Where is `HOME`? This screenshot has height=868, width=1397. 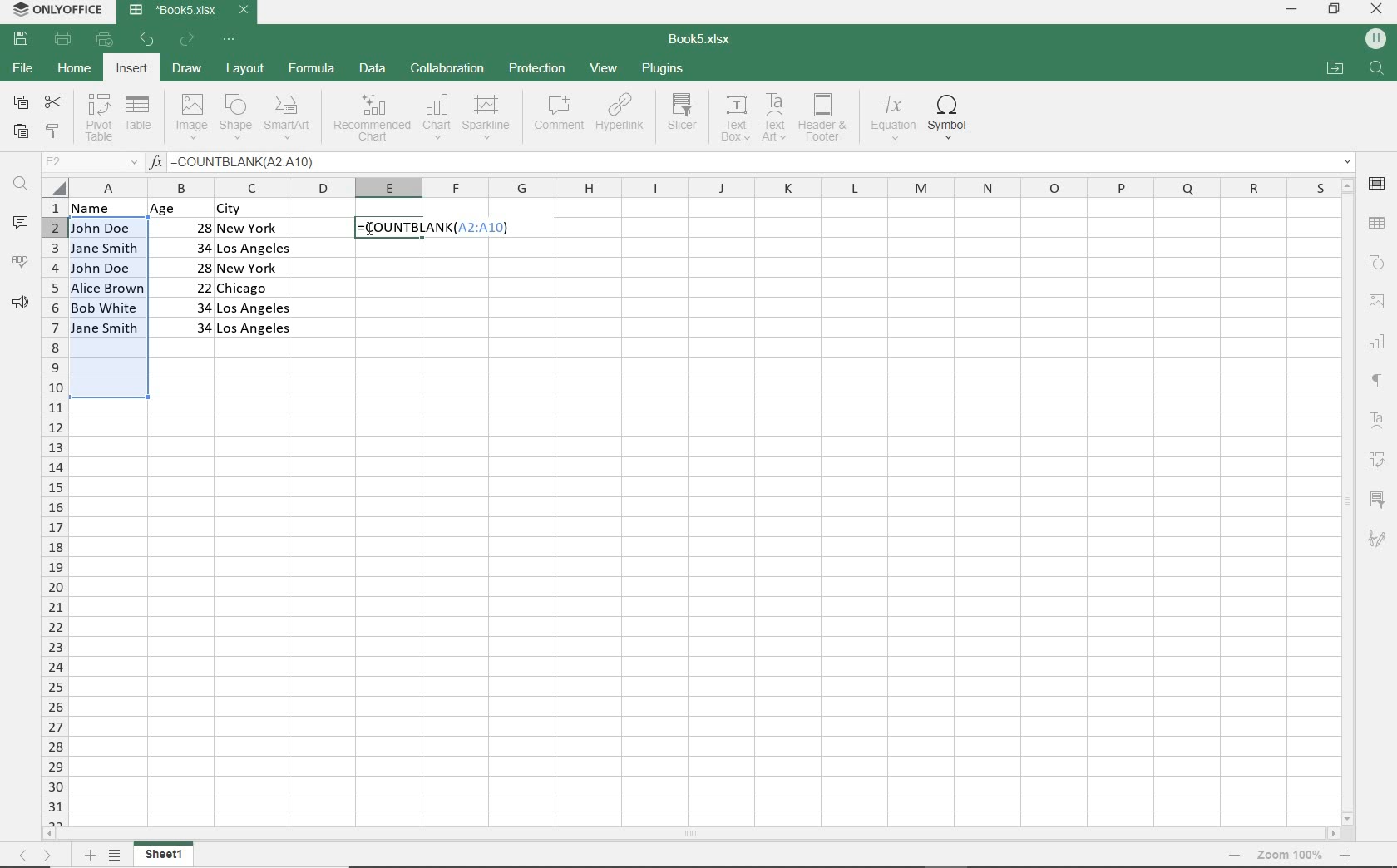 HOME is located at coordinates (73, 67).